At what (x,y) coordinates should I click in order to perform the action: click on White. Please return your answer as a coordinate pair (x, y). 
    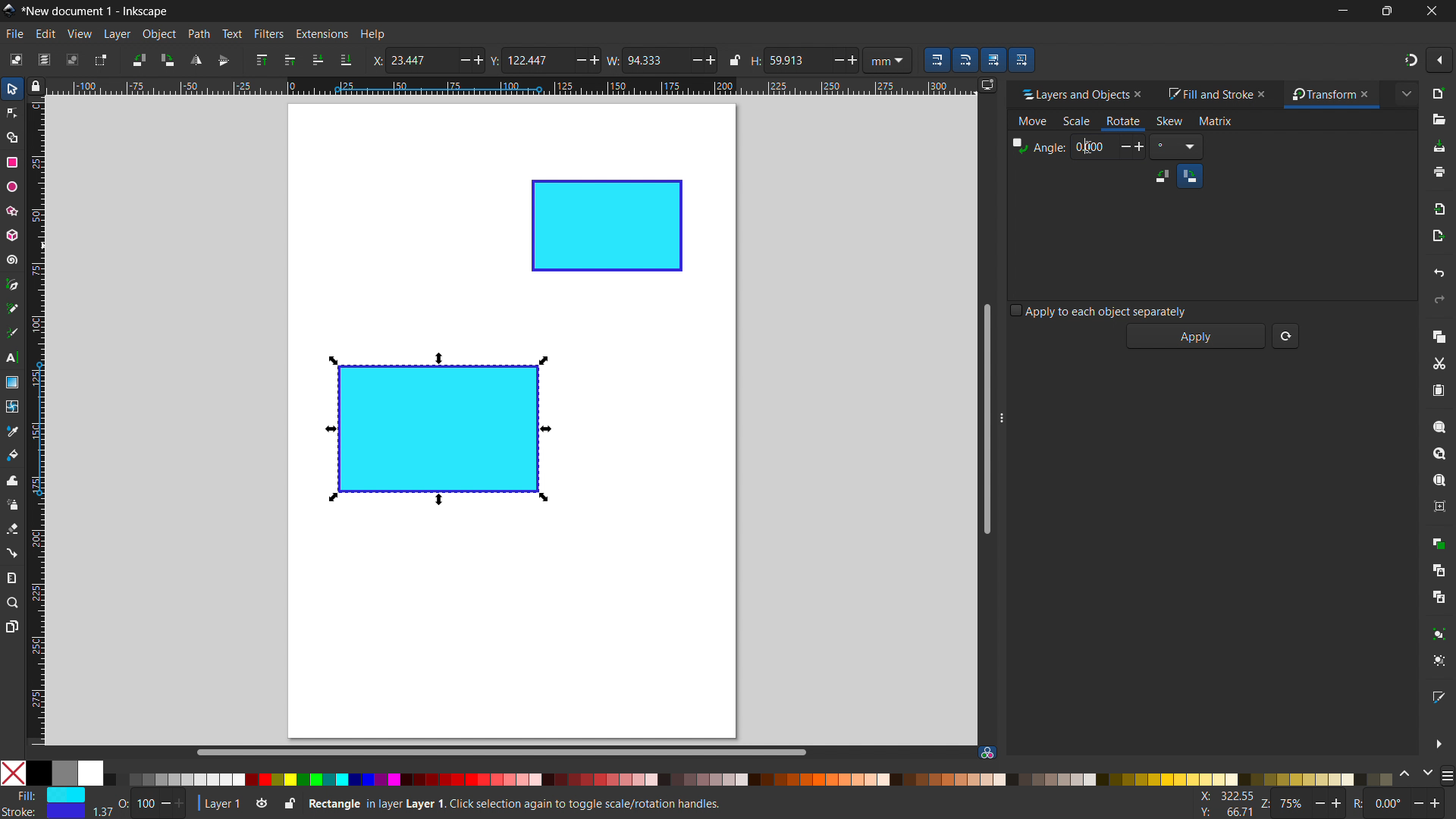
    Looking at the image, I should click on (90, 773).